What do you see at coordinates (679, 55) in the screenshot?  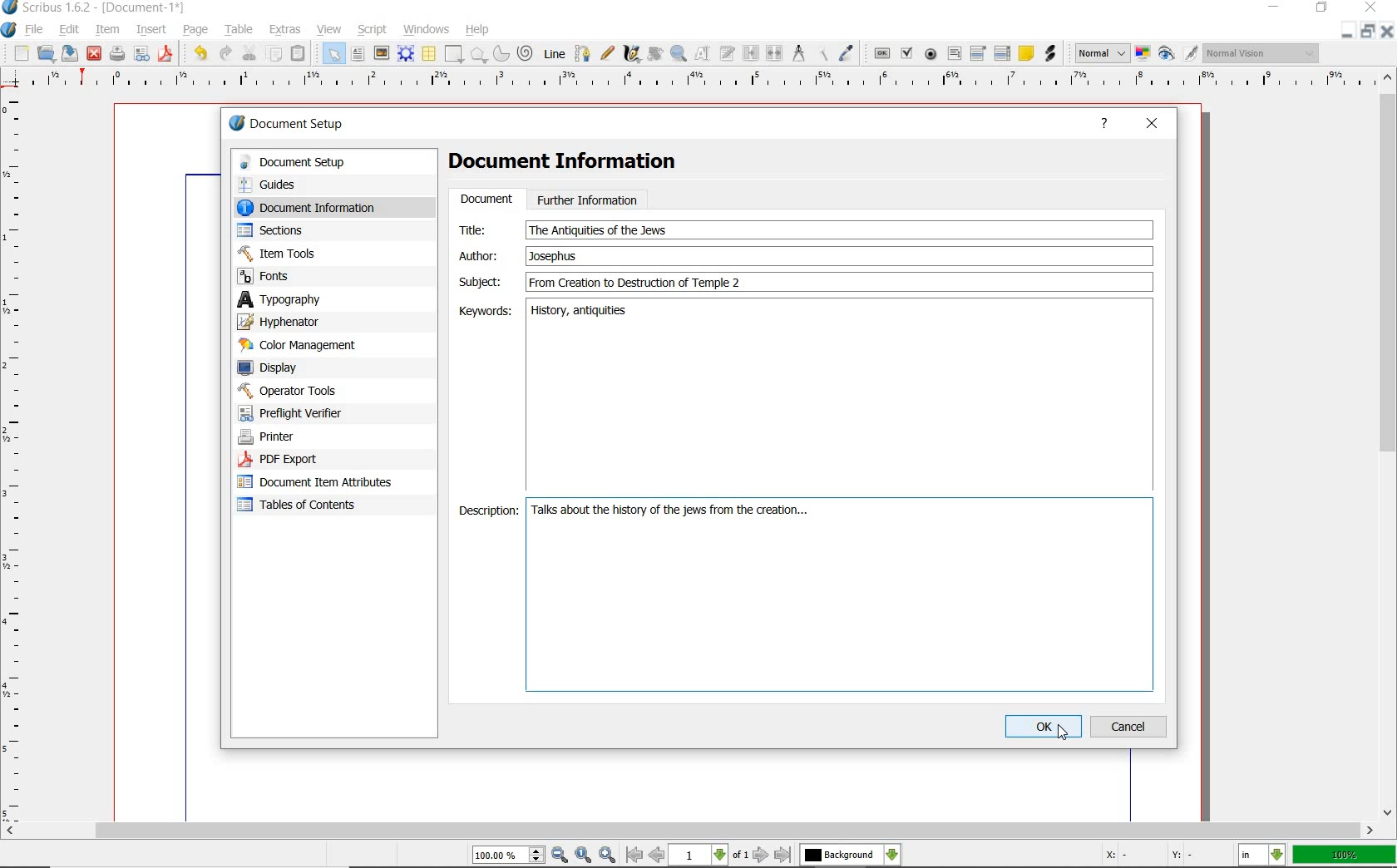 I see `zoom in or zoom out` at bounding box center [679, 55].